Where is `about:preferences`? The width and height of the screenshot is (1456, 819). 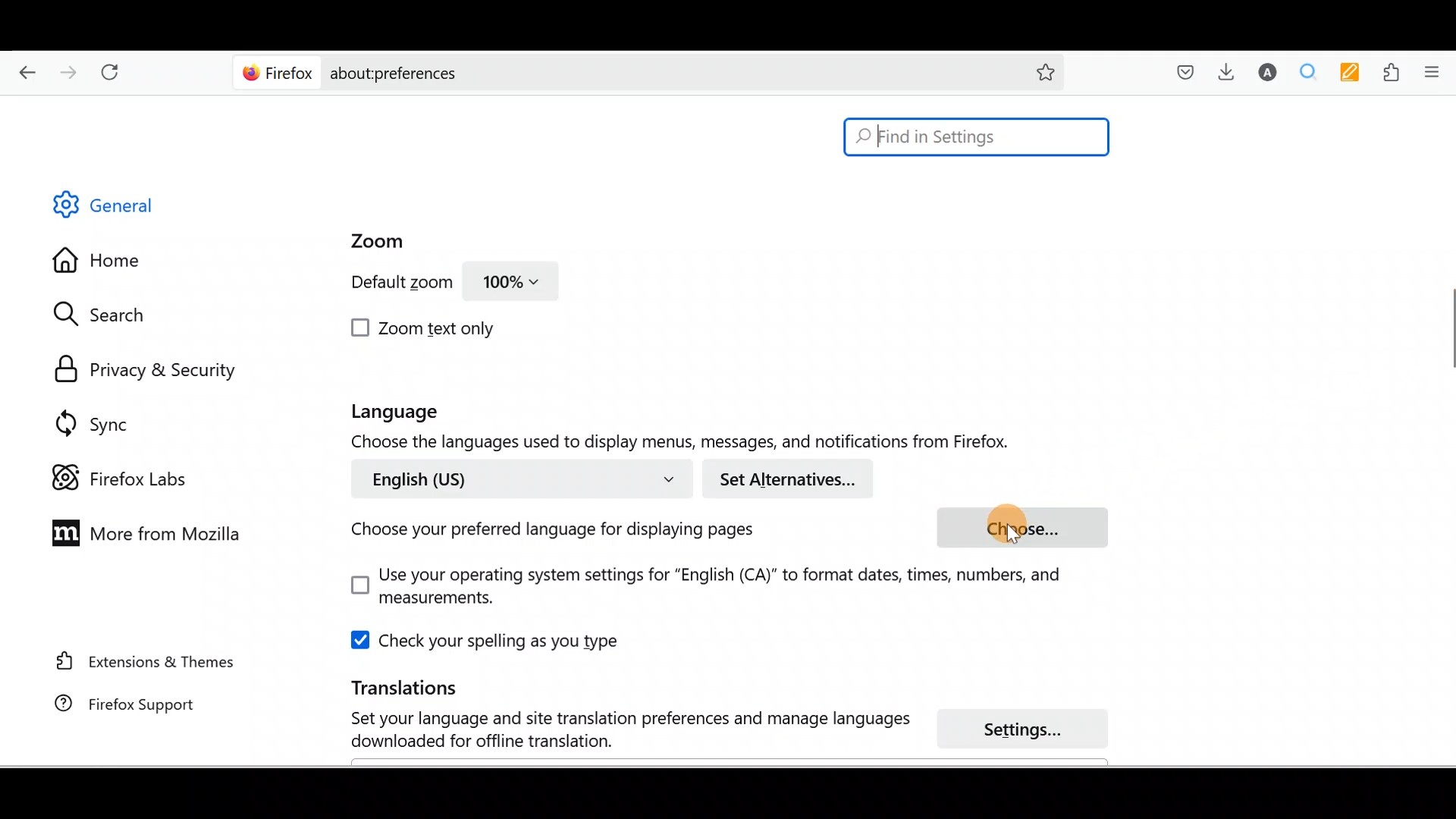 about:preferences is located at coordinates (605, 71).